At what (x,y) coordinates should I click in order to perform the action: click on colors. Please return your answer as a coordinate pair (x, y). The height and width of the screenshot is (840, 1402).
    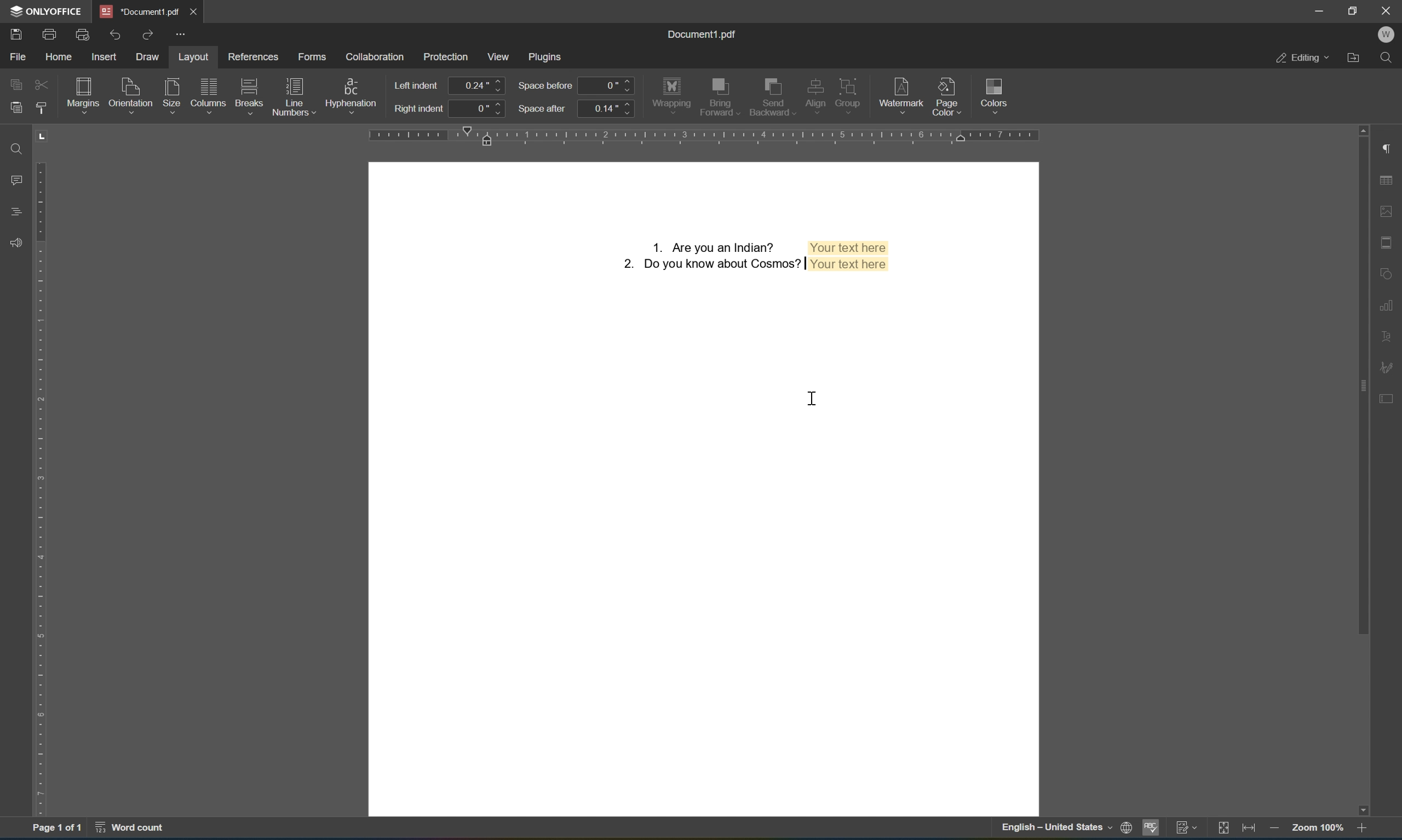
    Looking at the image, I should click on (994, 94).